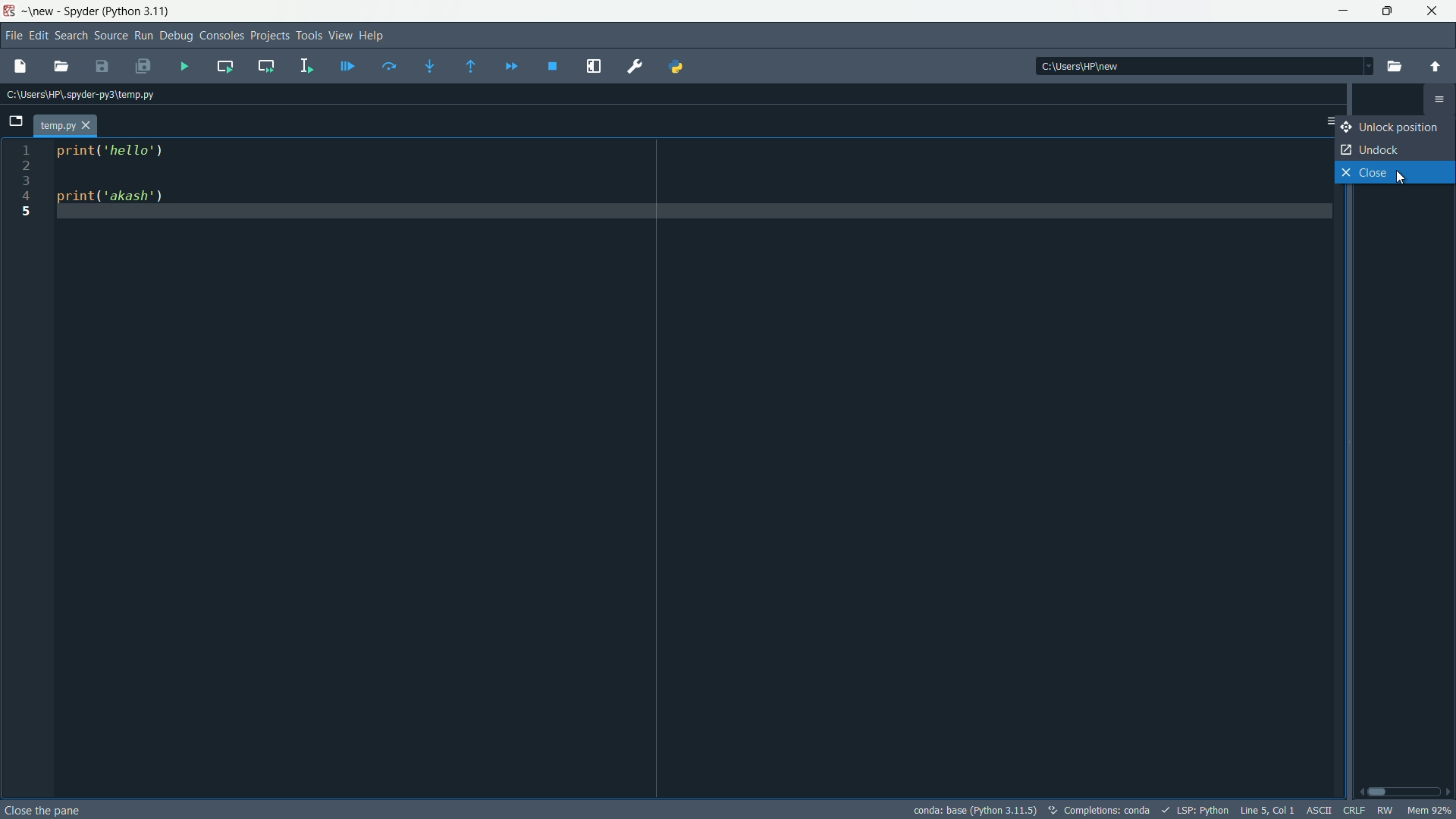 This screenshot has width=1456, height=819. I want to click on run current cell, so click(223, 66).